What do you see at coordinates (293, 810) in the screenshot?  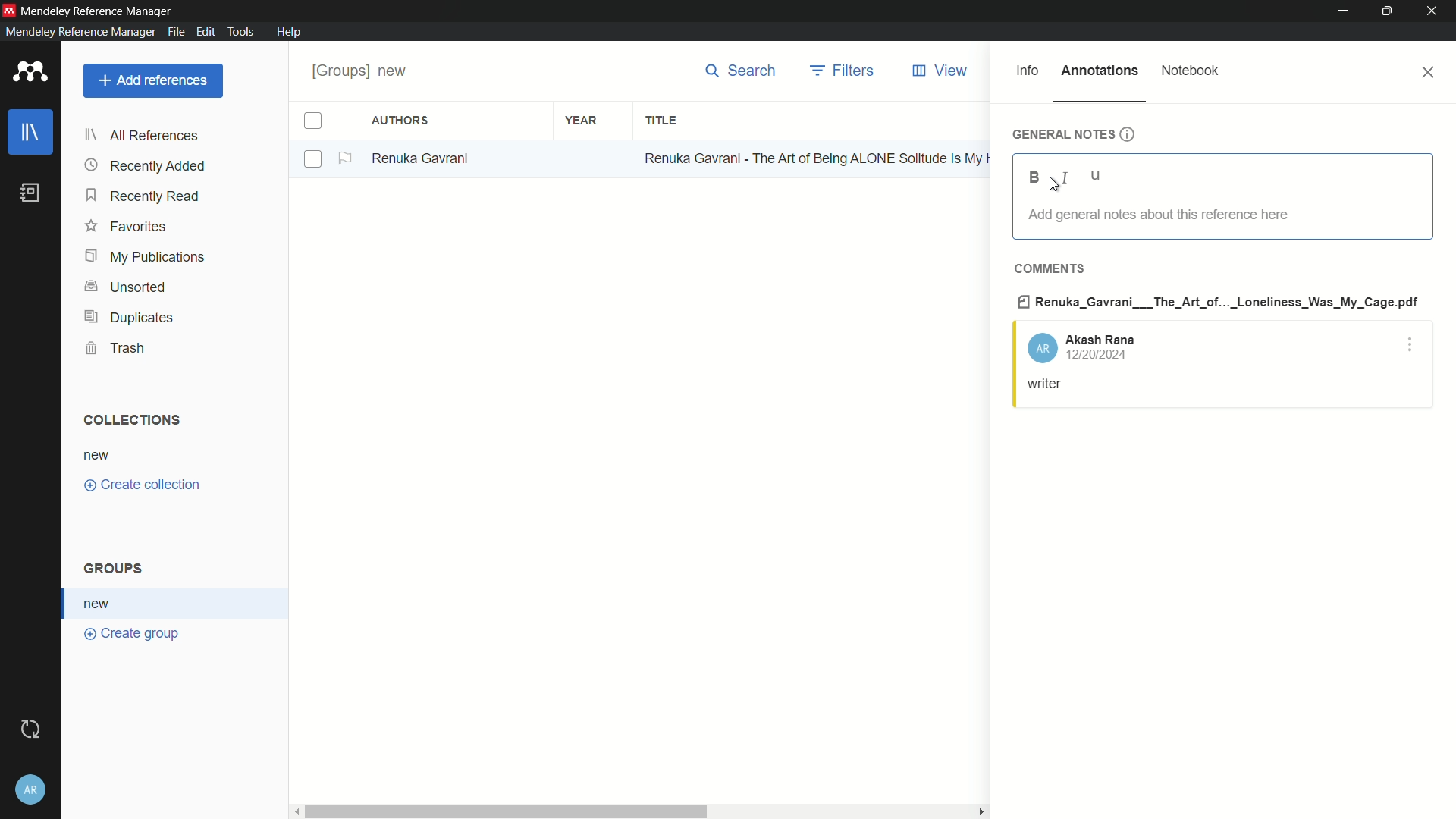 I see `scroll left` at bounding box center [293, 810].